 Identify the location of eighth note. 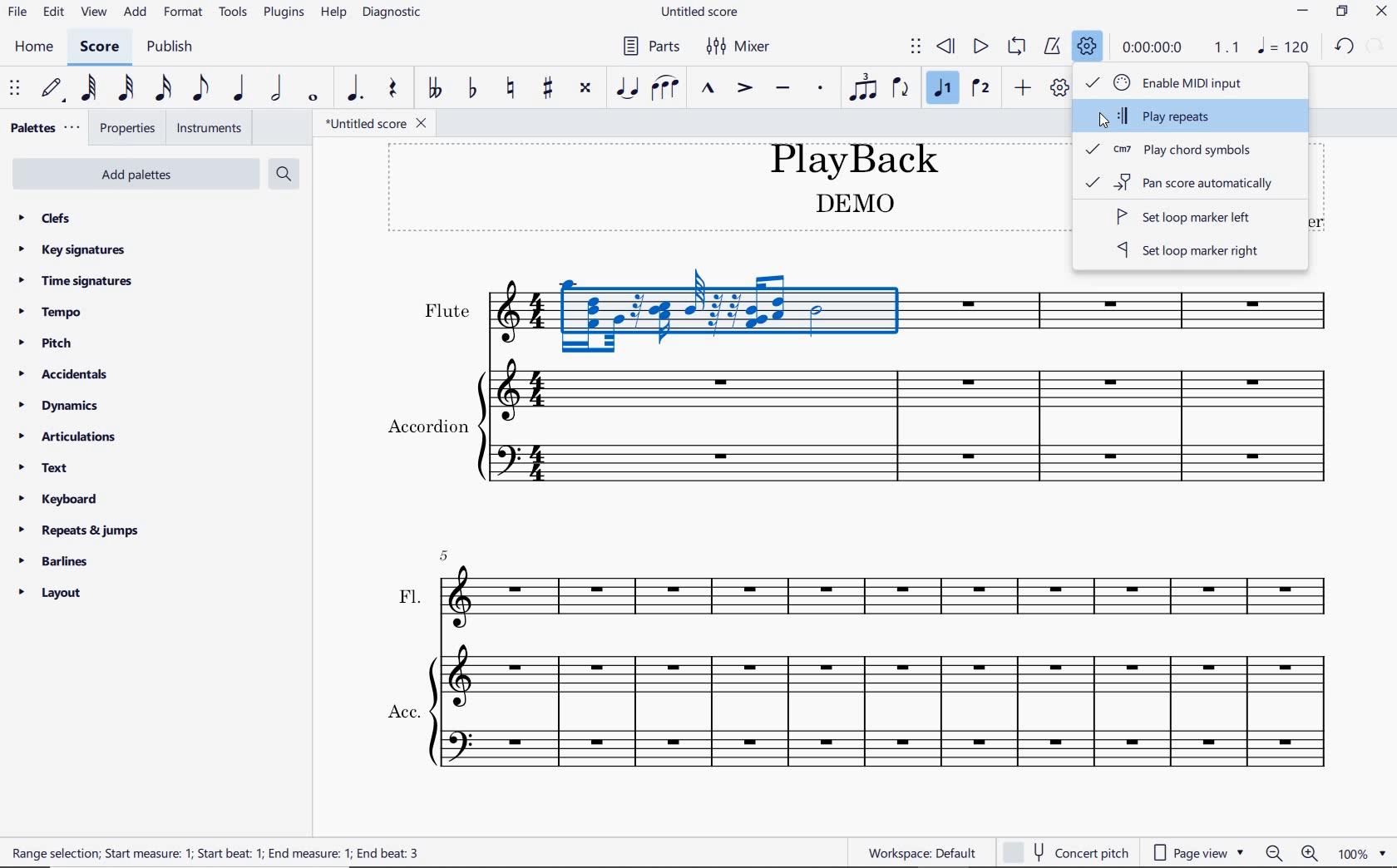
(199, 89).